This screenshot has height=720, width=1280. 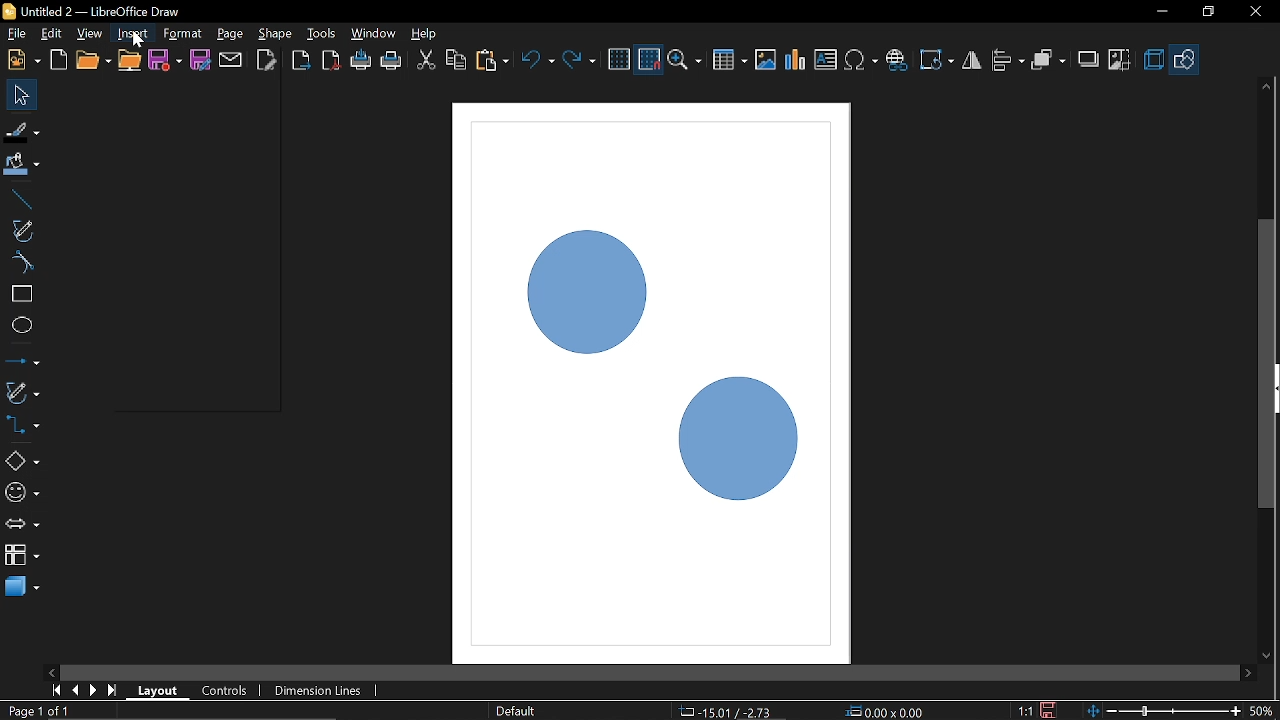 I want to click on Insert symbol, so click(x=863, y=60).